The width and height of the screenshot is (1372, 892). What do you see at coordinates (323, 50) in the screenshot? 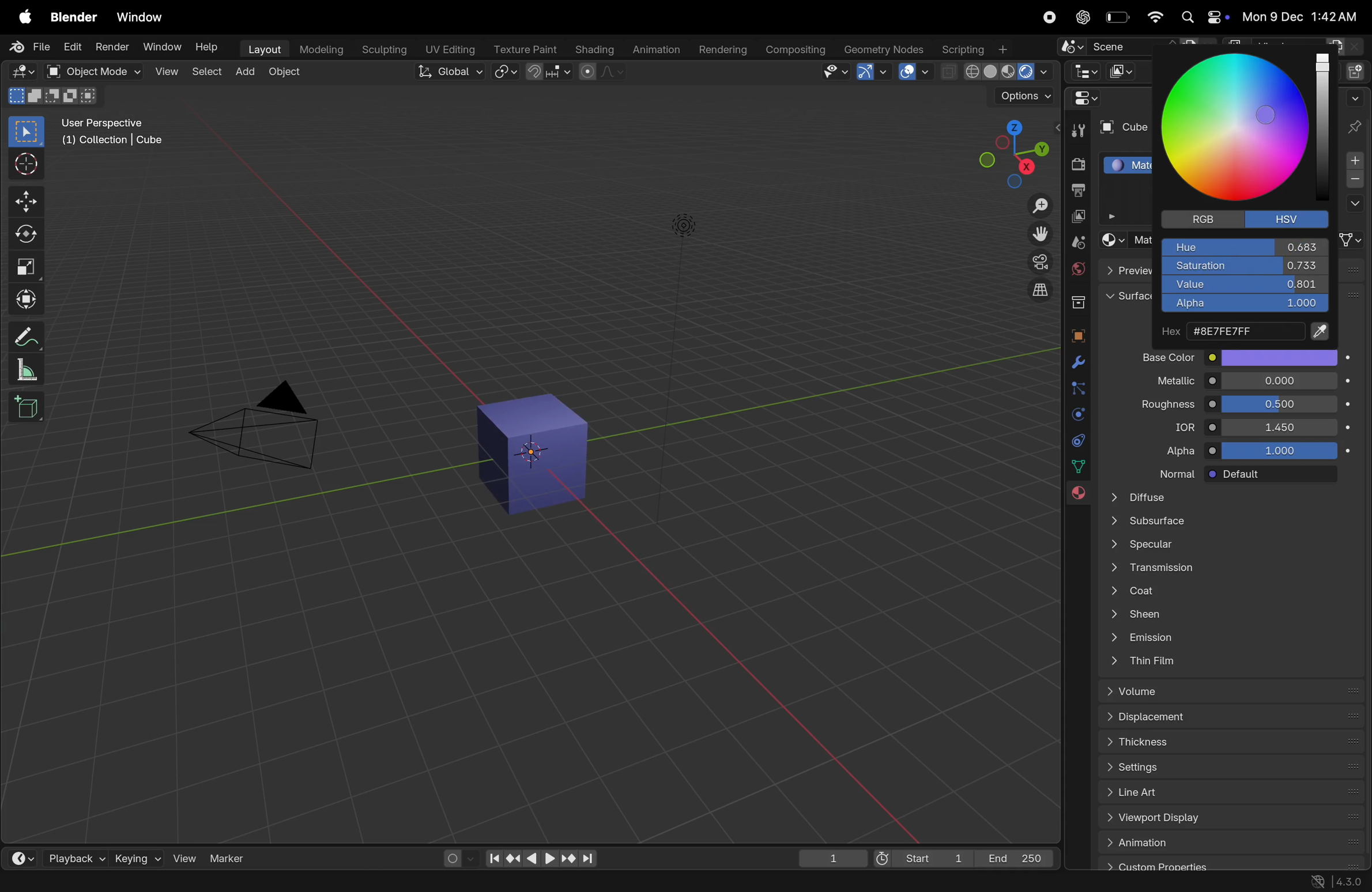
I see `modelling` at bounding box center [323, 50].